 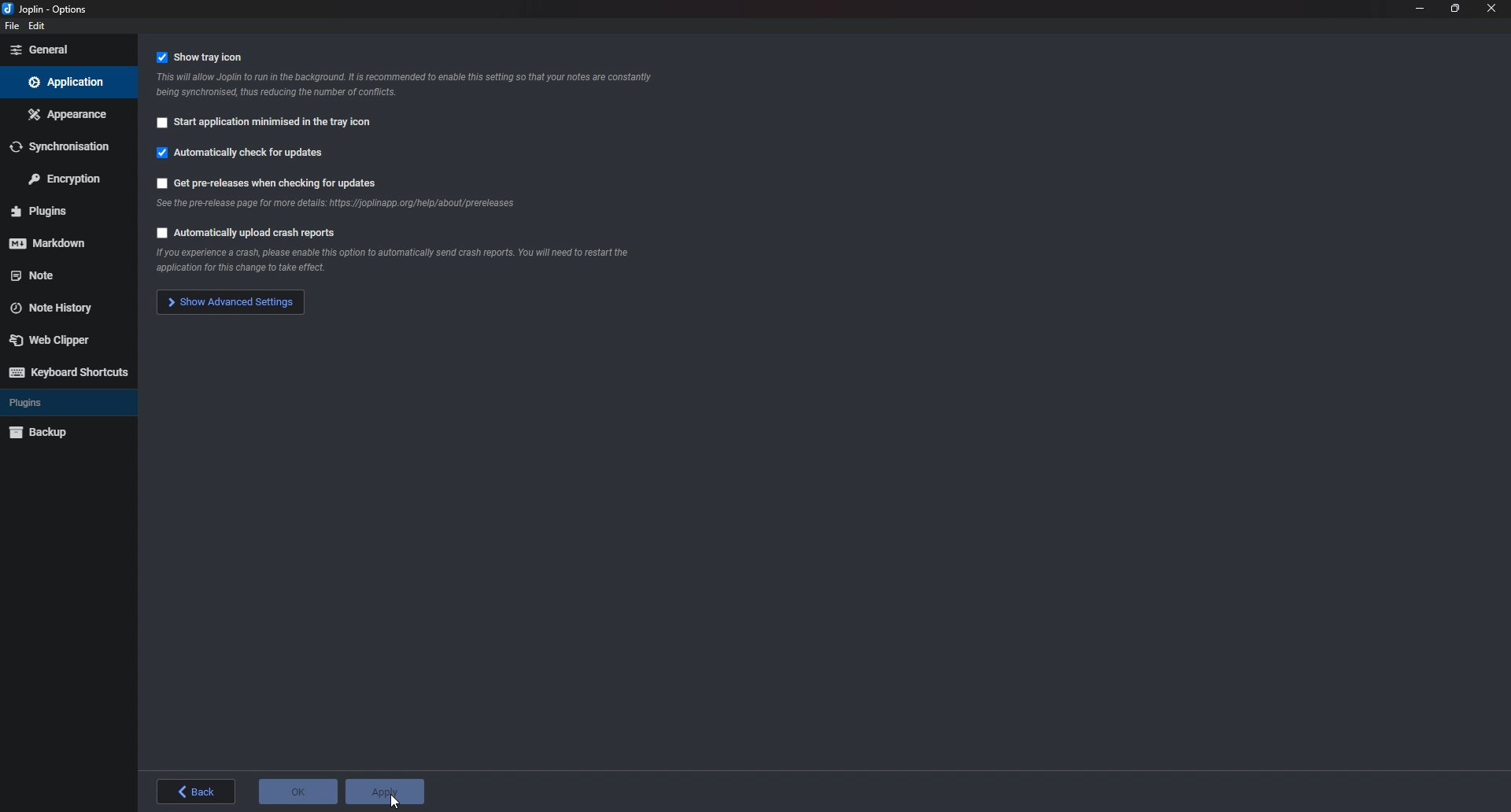 I want to click on edit, so click(x=39, y=27).